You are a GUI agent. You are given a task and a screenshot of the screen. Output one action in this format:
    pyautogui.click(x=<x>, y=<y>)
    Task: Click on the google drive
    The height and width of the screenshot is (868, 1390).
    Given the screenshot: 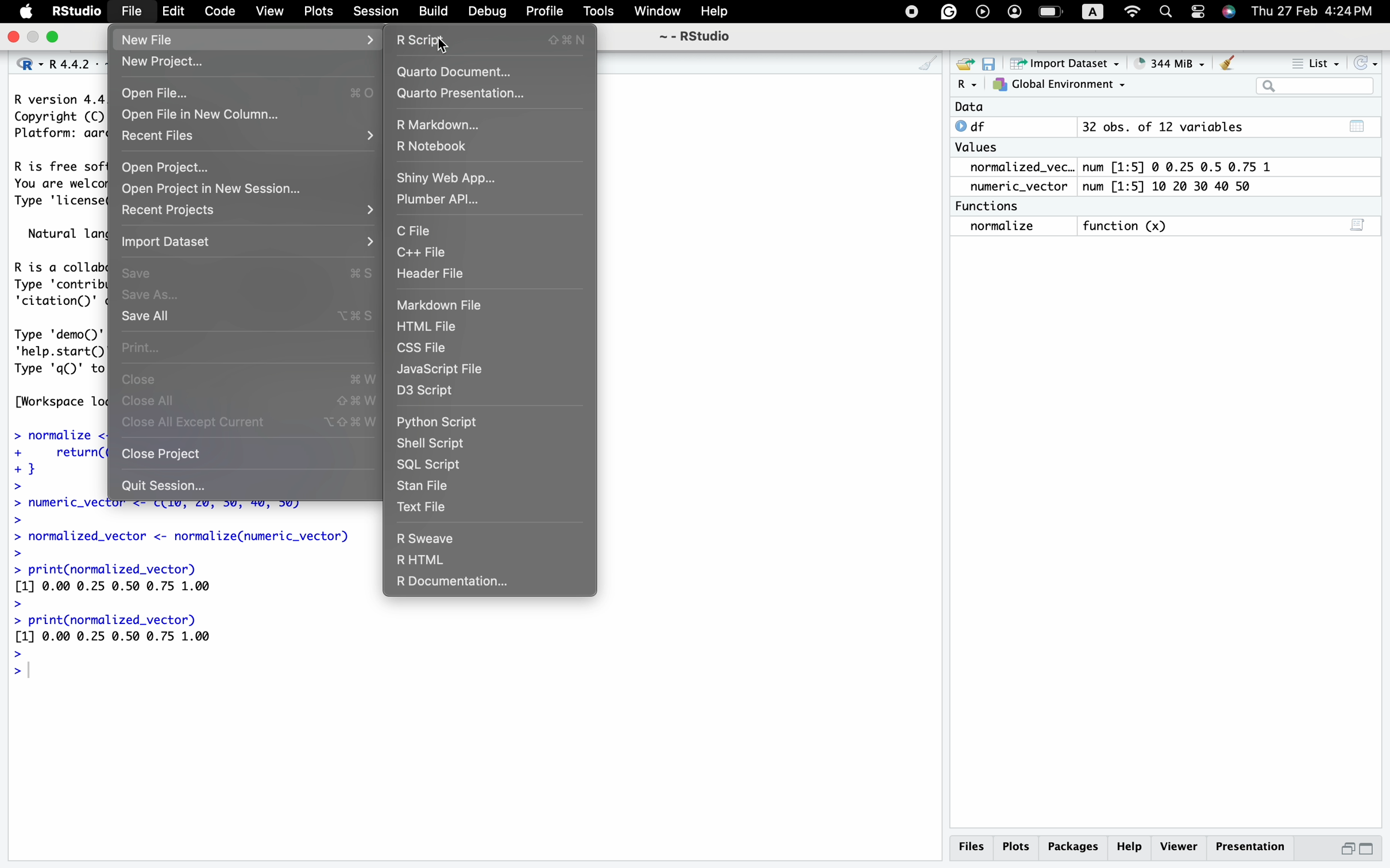 What is the action you would take?
    pyautogui.click(x=945, y=11)
    